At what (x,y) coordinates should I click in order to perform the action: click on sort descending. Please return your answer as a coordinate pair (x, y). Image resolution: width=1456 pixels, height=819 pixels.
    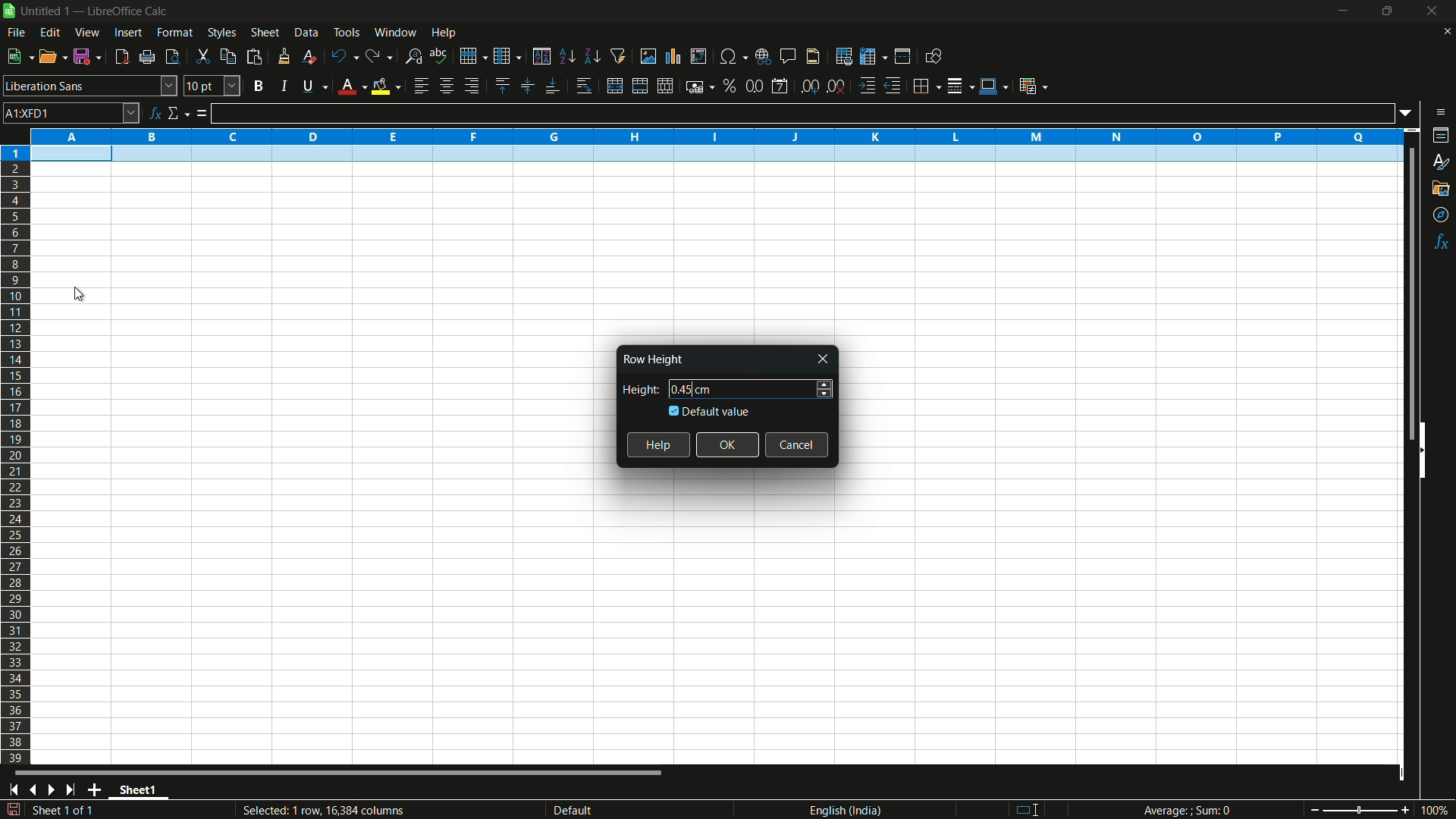
    Looking at the image, I should click on (591, 56).